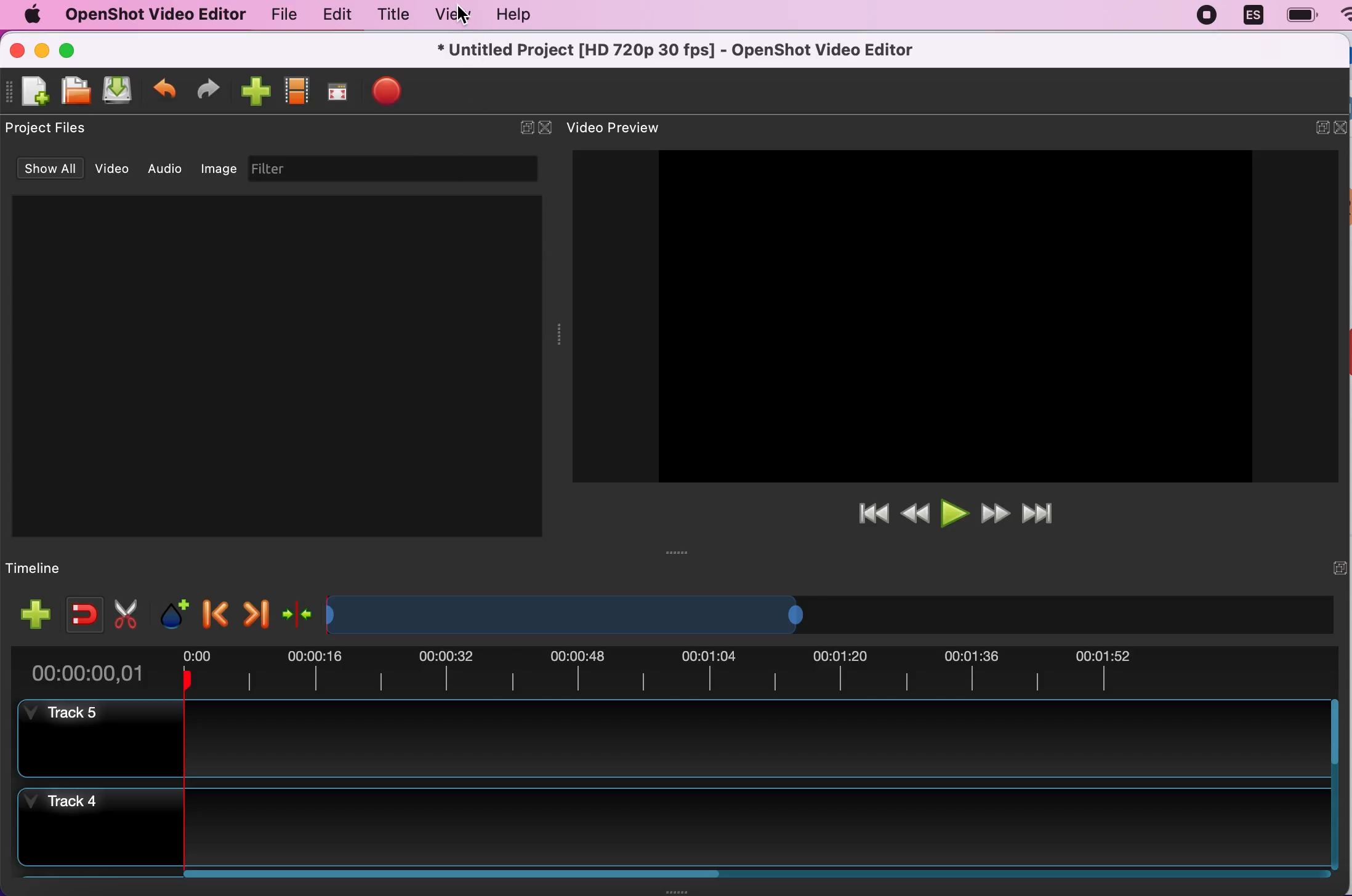 This screenshot has width=1352, height=896. What do you see at coordinates (519, 126) in the screenshot?
I see `expand/hide` at bounding box center [519, 126].